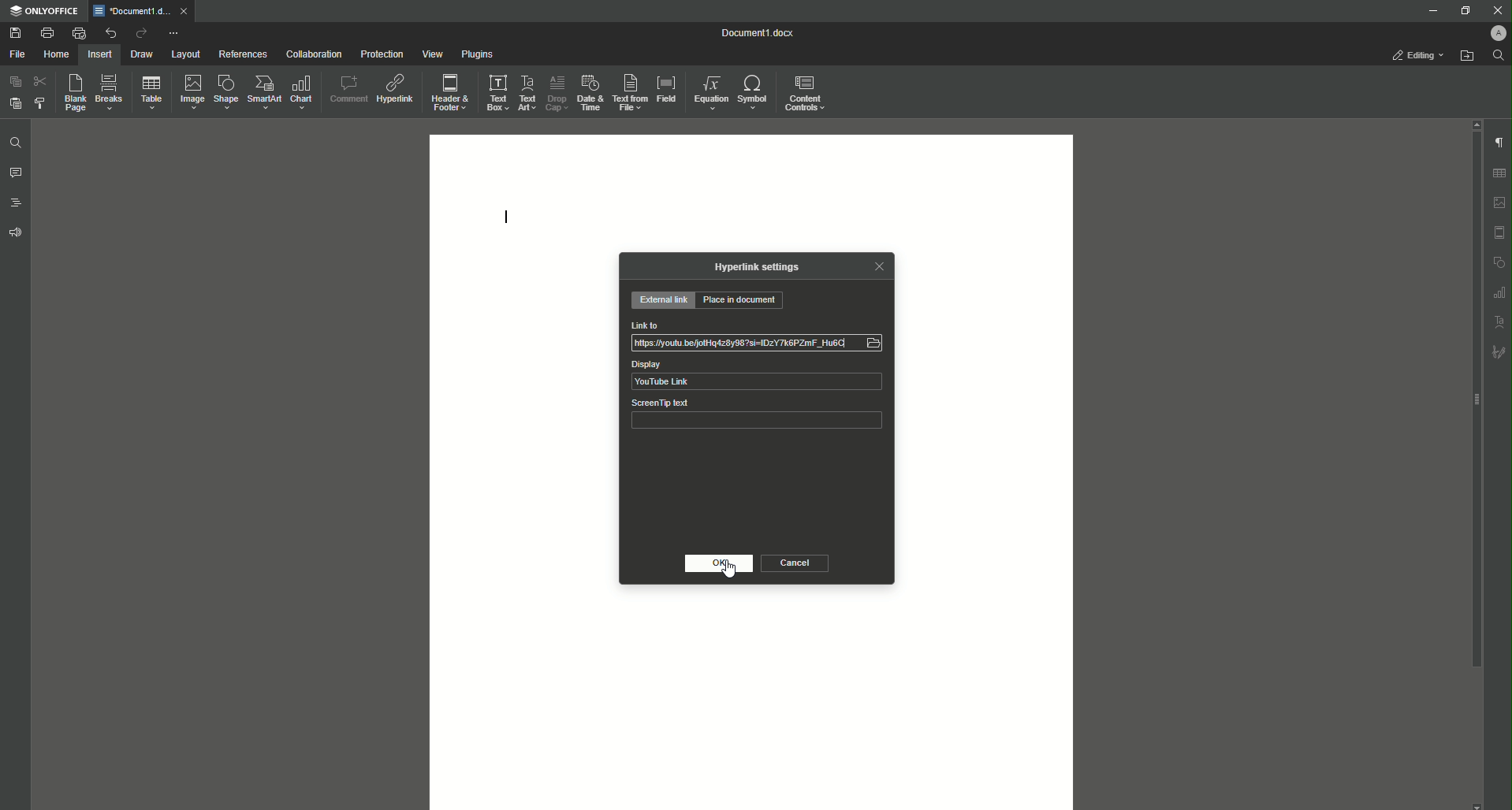 This screenshot has width=1512, height=810. Describe the element at coordinates (79, 32) in the screenshot. I see `Quick Print` at that location.